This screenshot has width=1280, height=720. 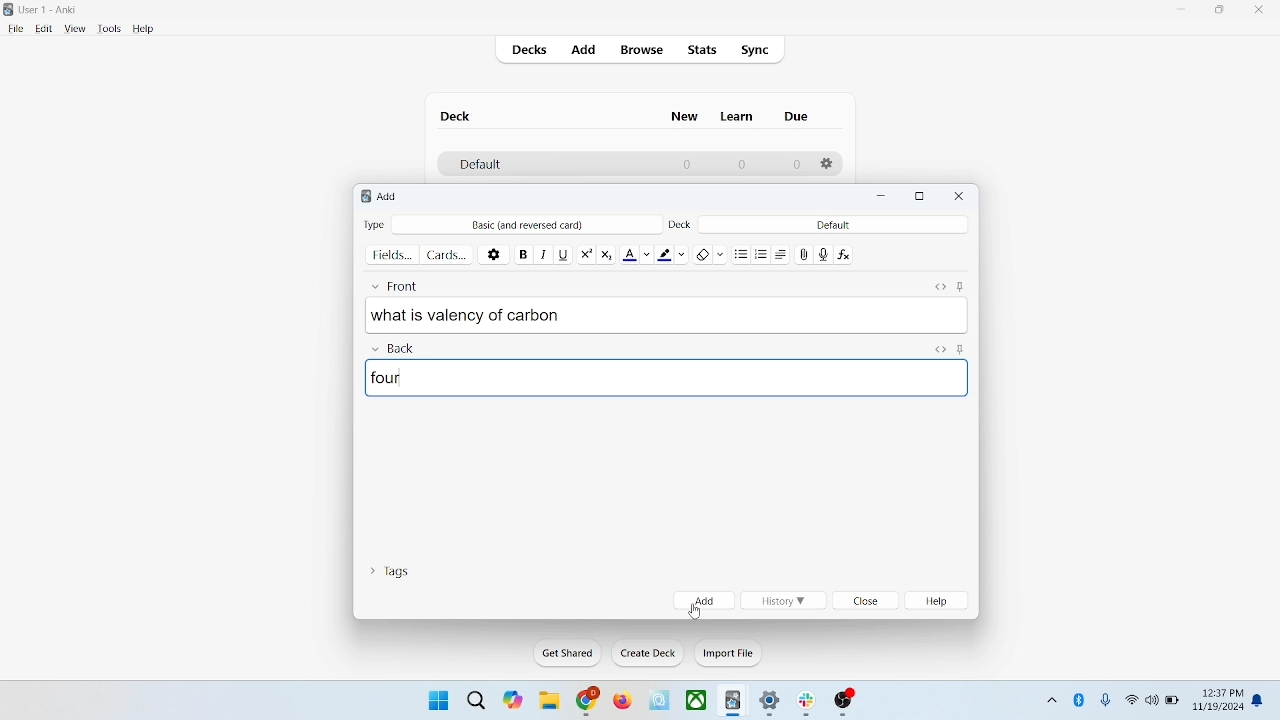 What do you see at coordinates (495, 253) in the screenshot?
I see `options` at bounding box center [495, 253].